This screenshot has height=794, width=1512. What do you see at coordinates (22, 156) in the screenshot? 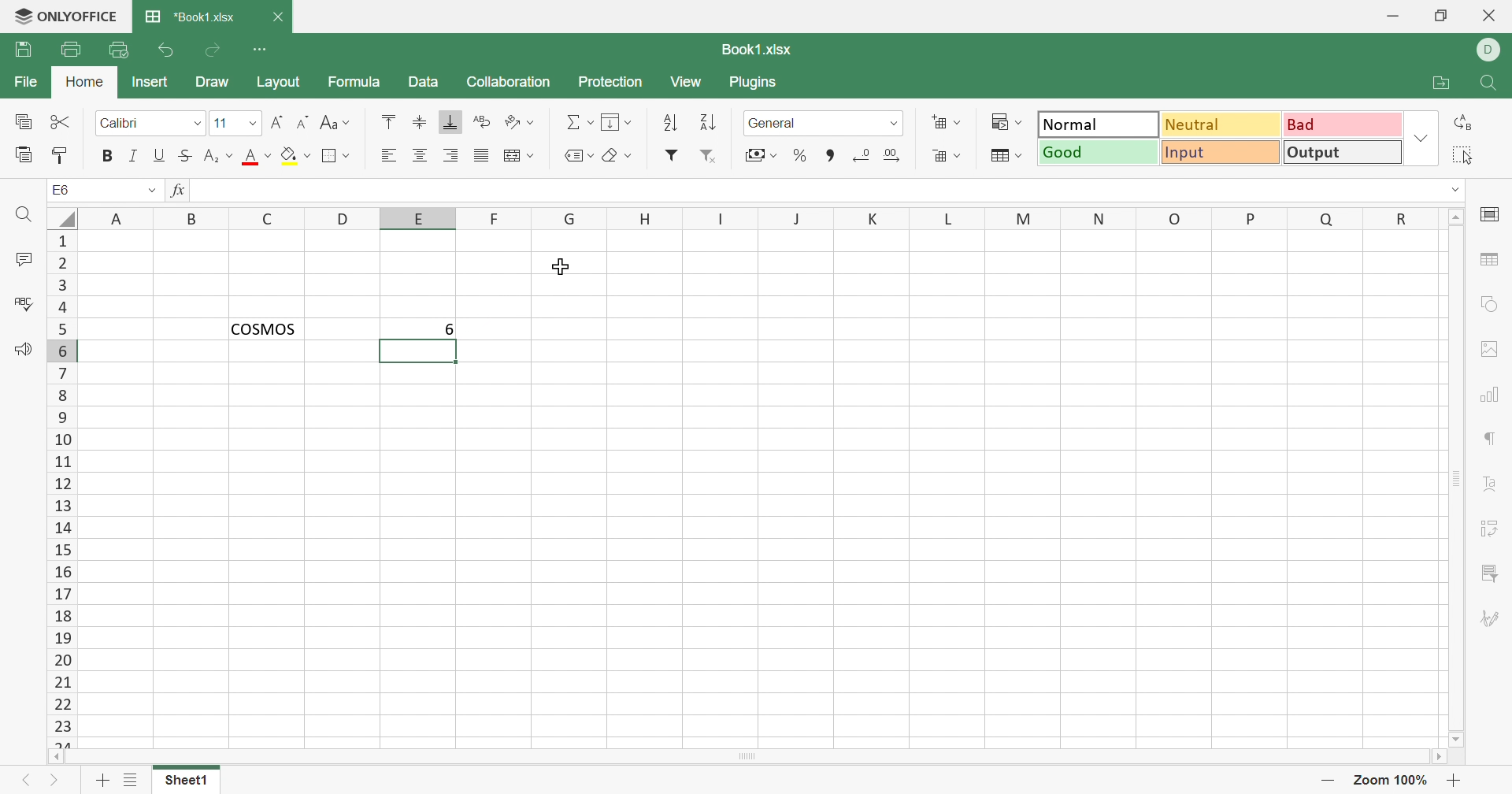
I see `Paste` at bounding box center [22, 156].